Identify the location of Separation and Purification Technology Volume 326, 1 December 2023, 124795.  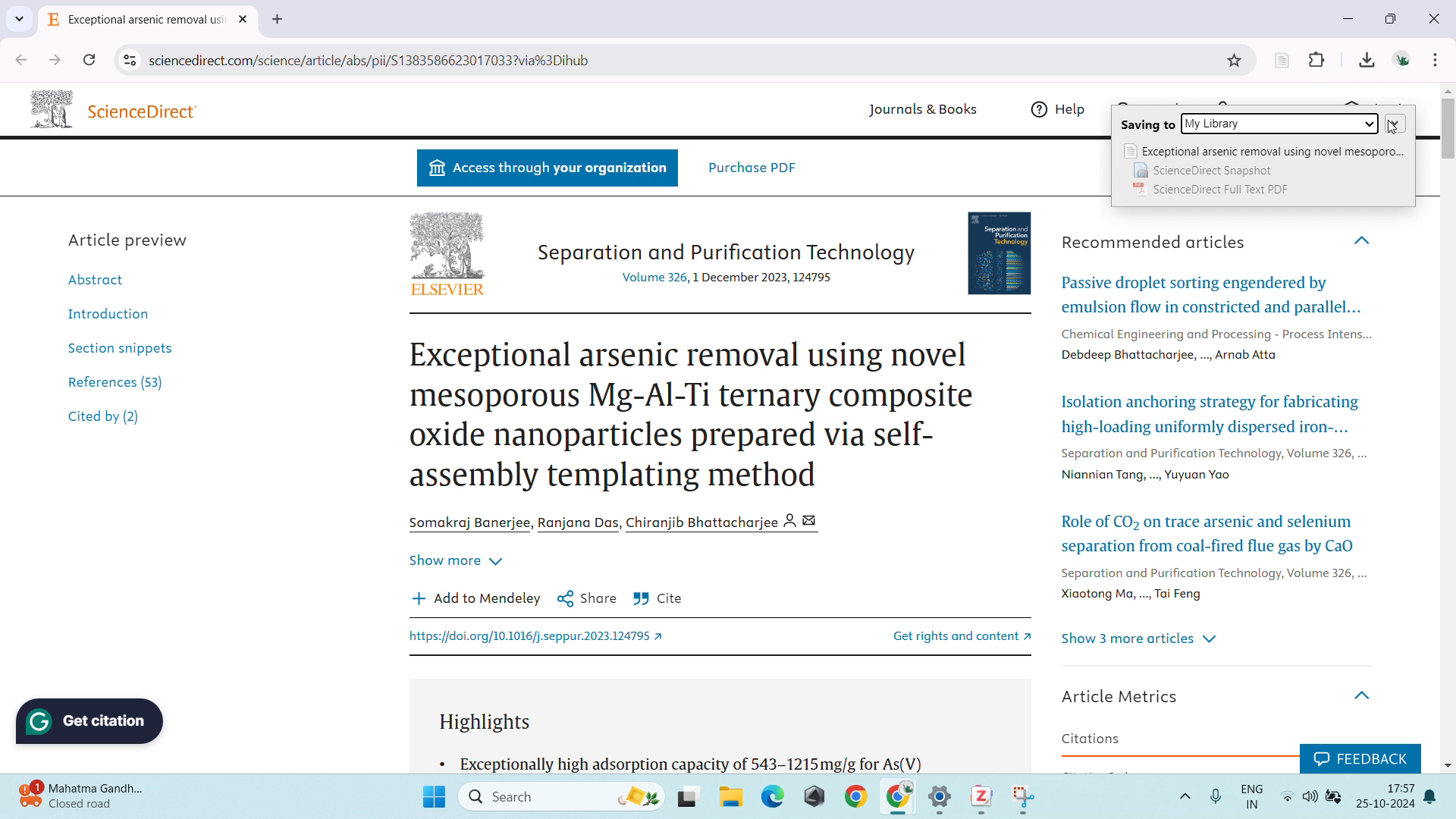
(724, 262).